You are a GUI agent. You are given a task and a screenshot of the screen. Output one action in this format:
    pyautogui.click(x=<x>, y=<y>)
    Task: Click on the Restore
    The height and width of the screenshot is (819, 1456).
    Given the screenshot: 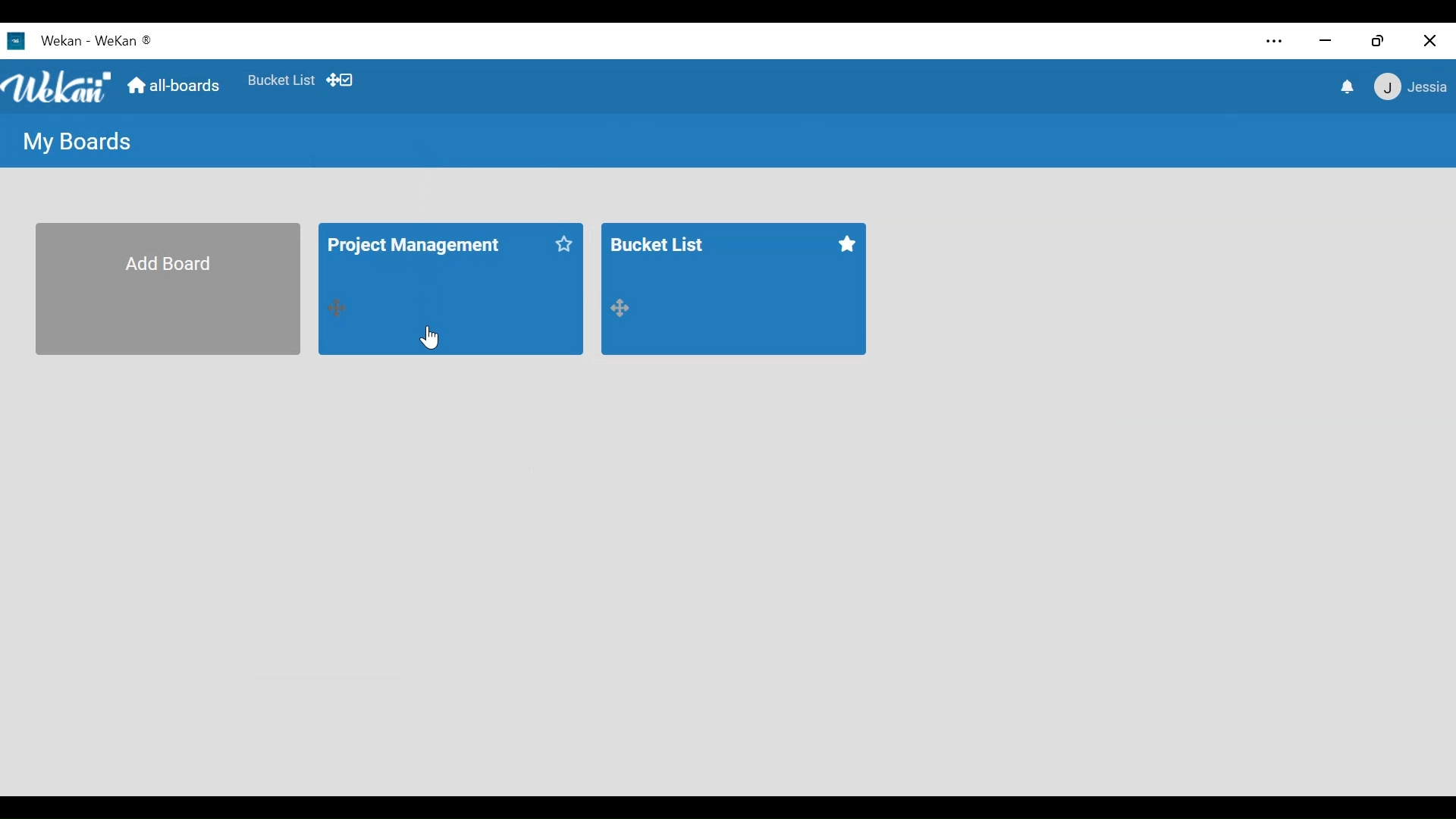 What is the action you would take?
    pyautogui.click(x=1376, y=42)
    